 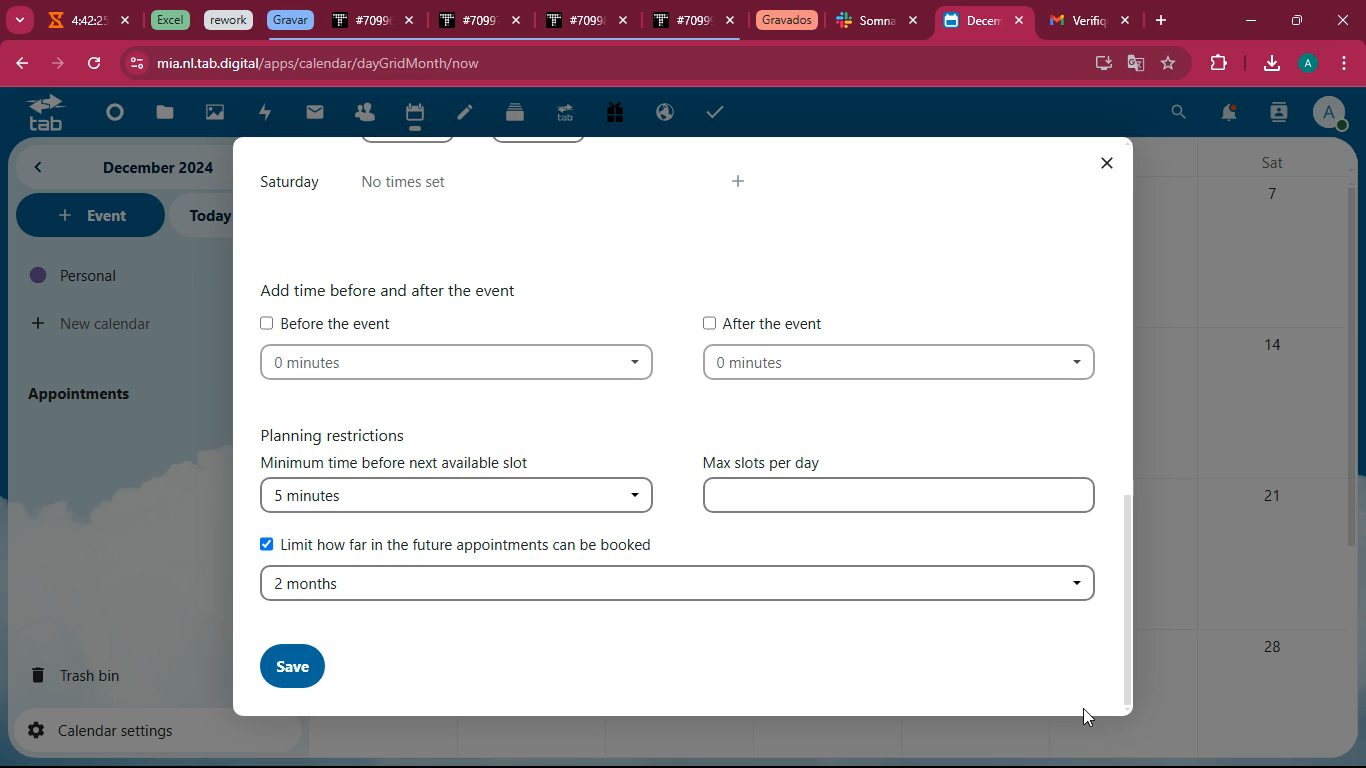 What do you see at coordinates (1347, 20) in the screenshot?
I see `close` at bounding box center [1347, 20].